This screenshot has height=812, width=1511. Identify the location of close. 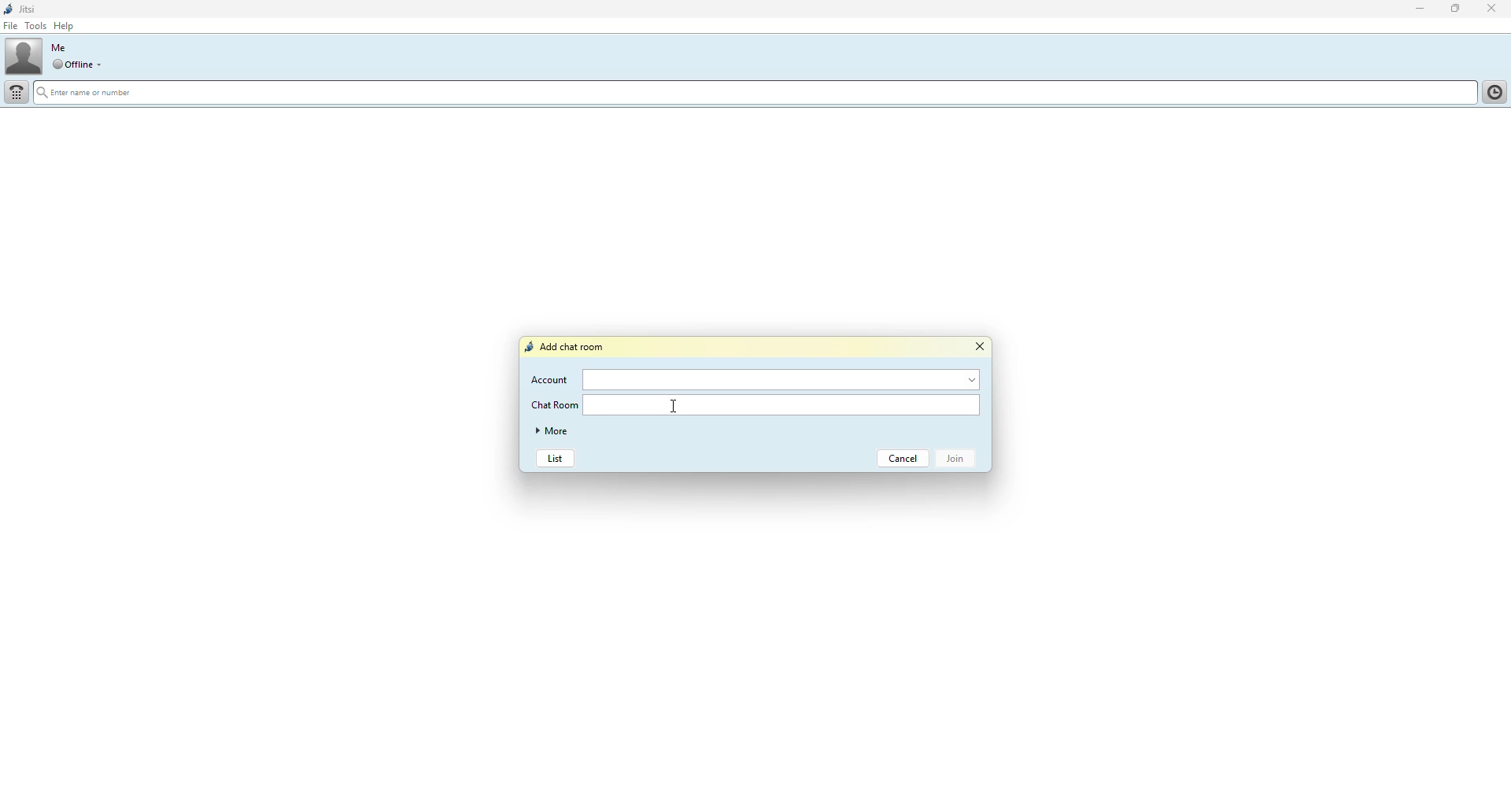
(983, 347).